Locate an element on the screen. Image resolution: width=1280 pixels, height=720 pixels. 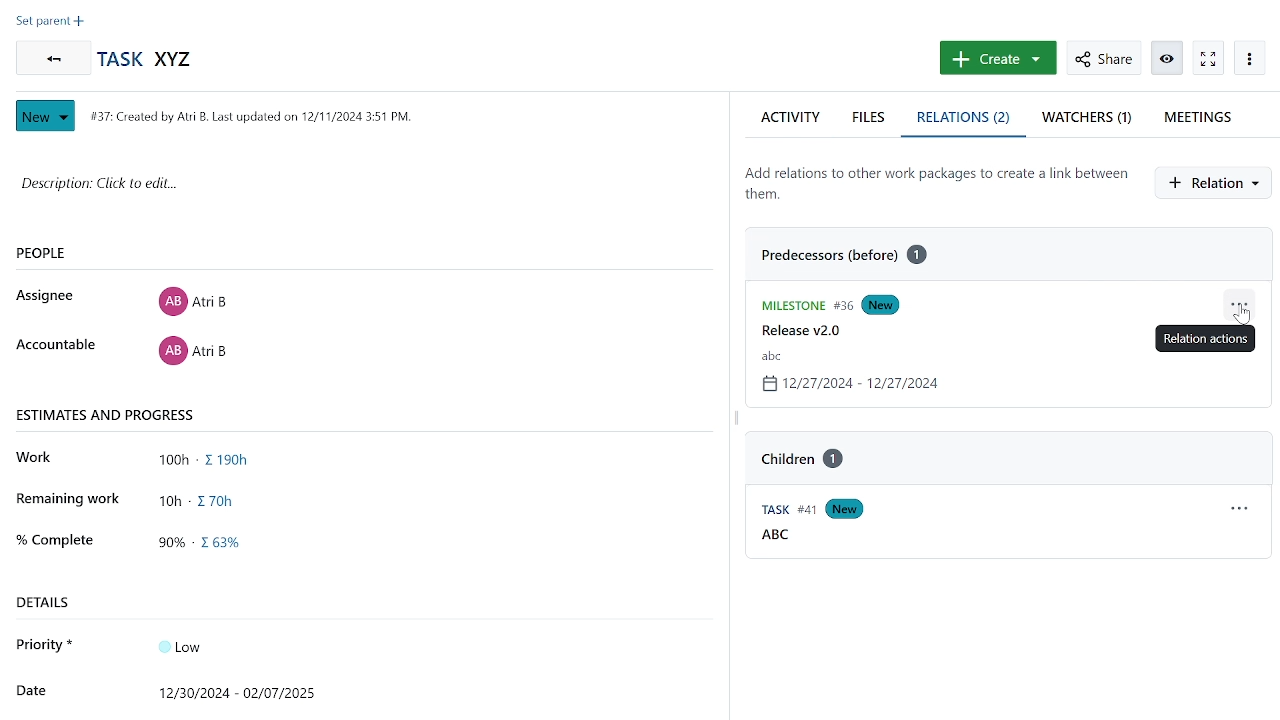
accountable is located at coordinates (192, 354).